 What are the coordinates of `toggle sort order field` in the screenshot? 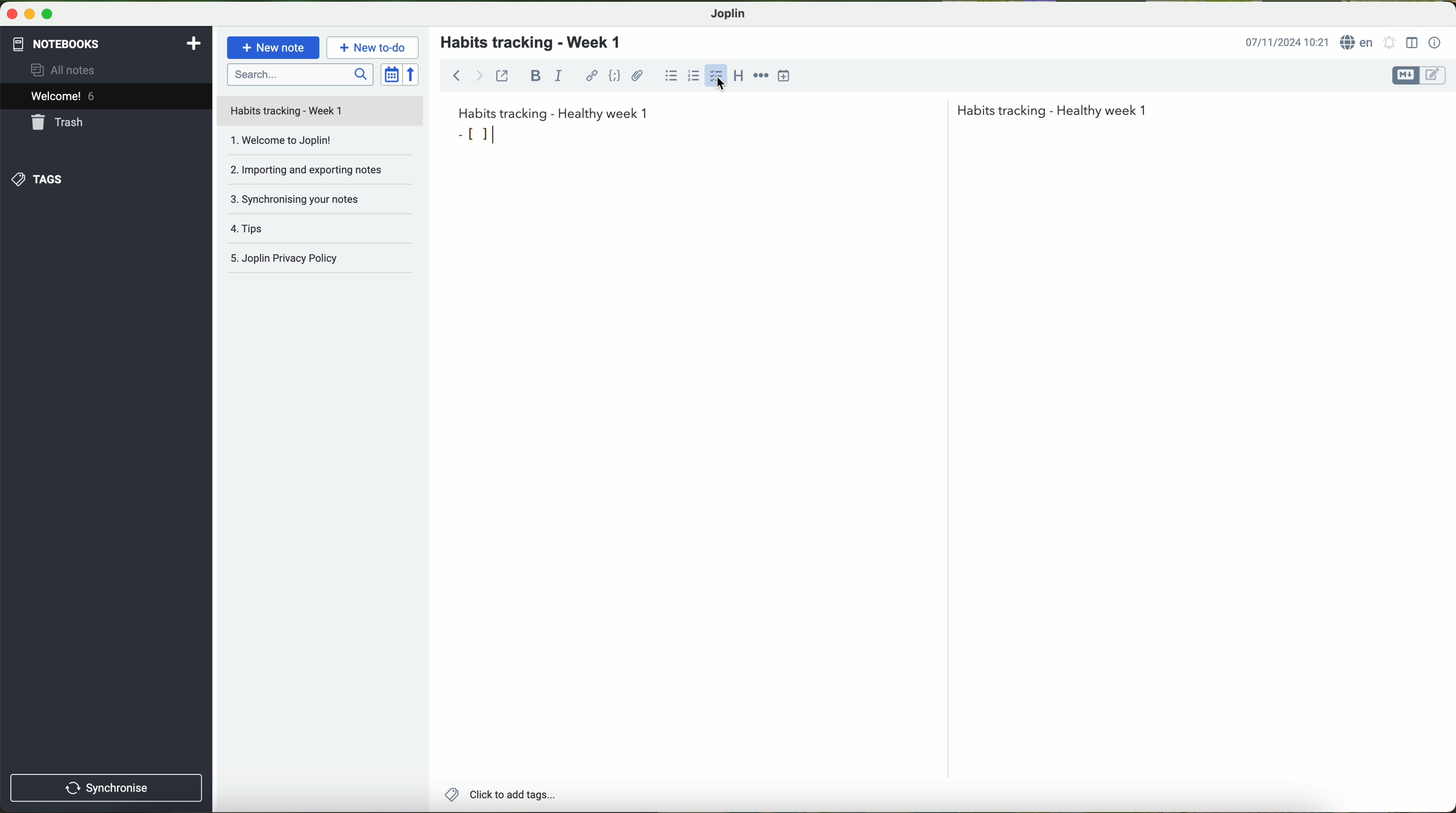 It's located at (391, 74).